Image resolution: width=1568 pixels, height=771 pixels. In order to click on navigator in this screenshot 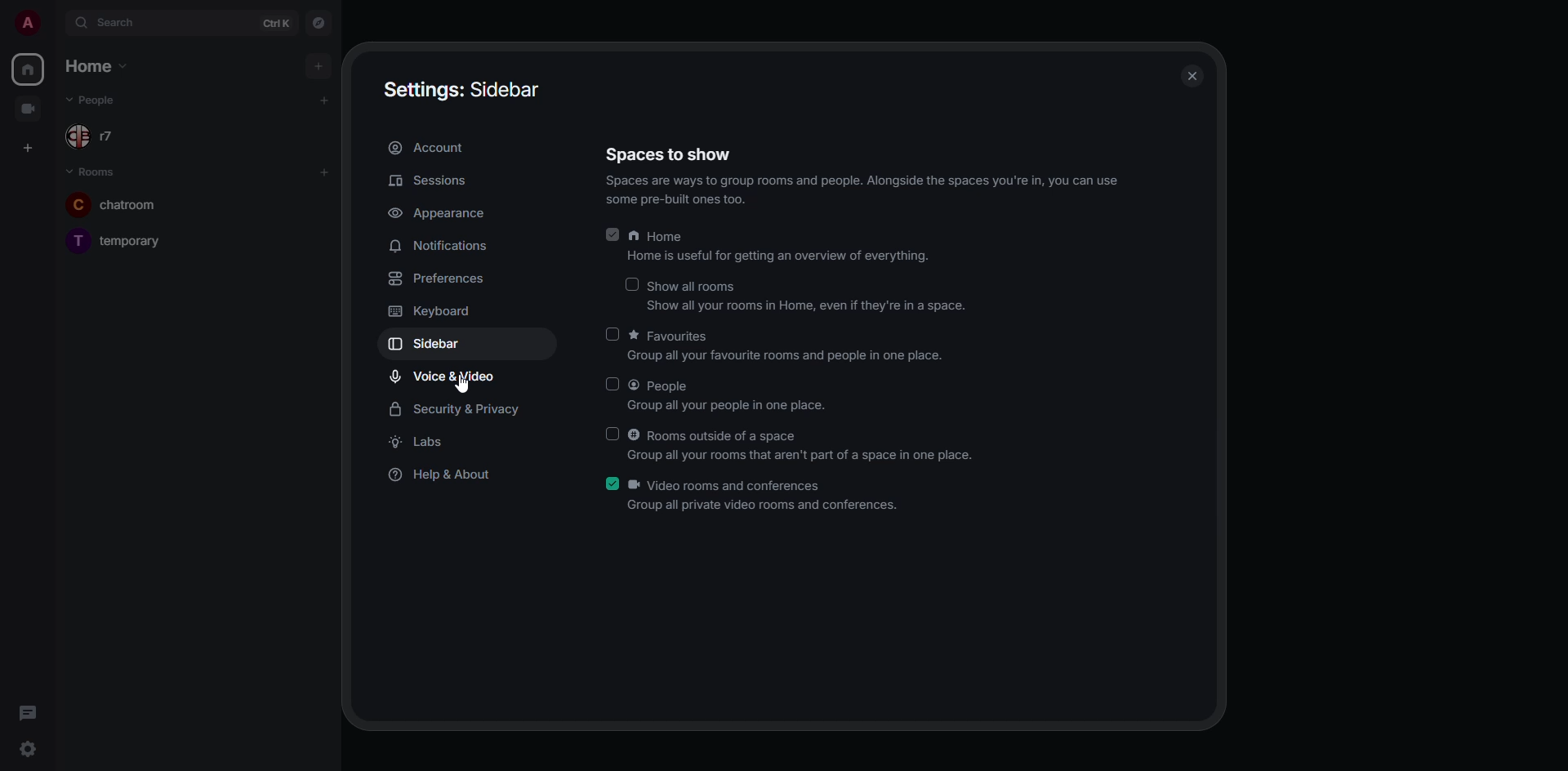, I will do `click(320, 22)`.